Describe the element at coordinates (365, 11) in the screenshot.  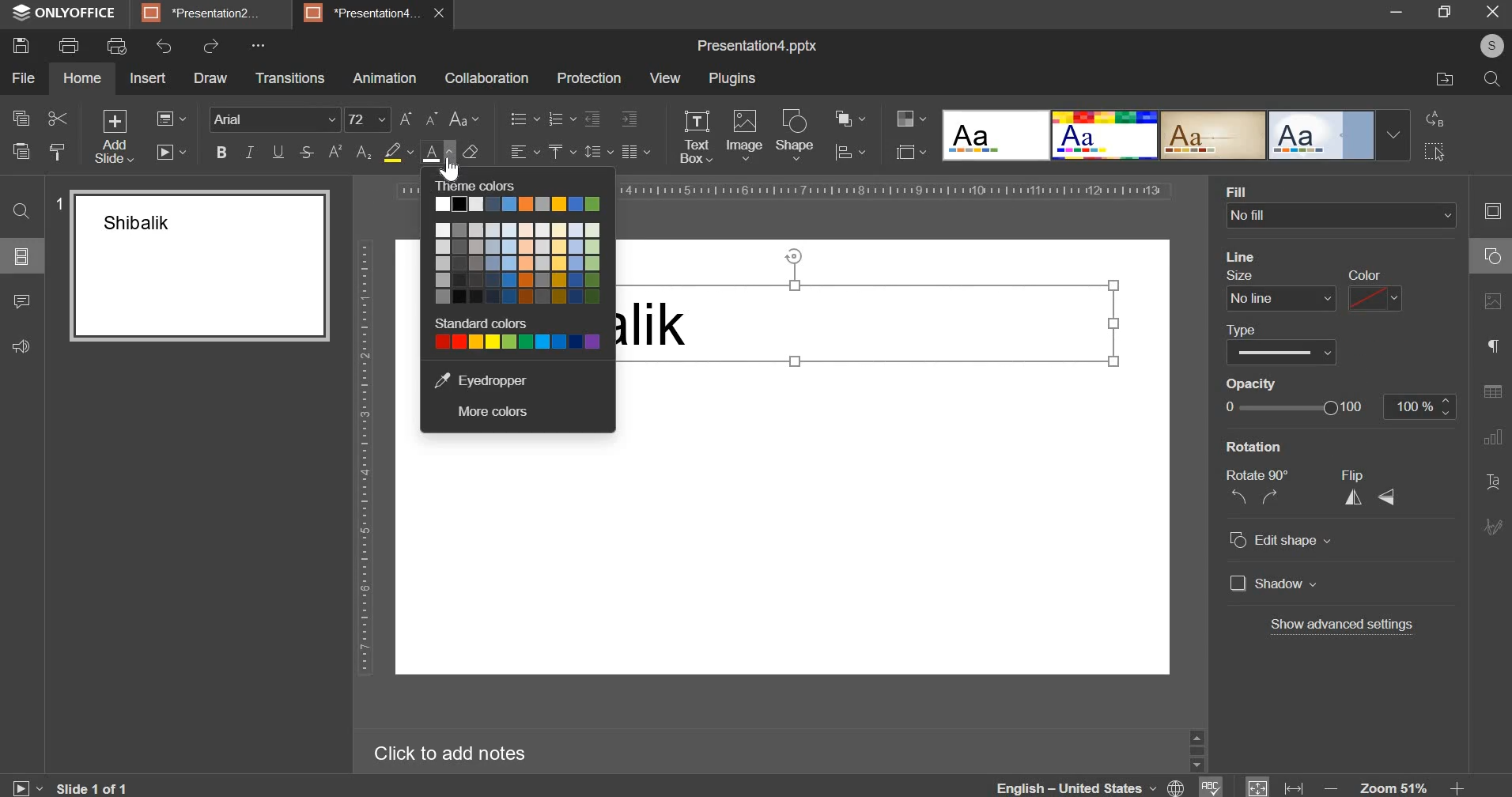
I see `Presentation4` at that location.